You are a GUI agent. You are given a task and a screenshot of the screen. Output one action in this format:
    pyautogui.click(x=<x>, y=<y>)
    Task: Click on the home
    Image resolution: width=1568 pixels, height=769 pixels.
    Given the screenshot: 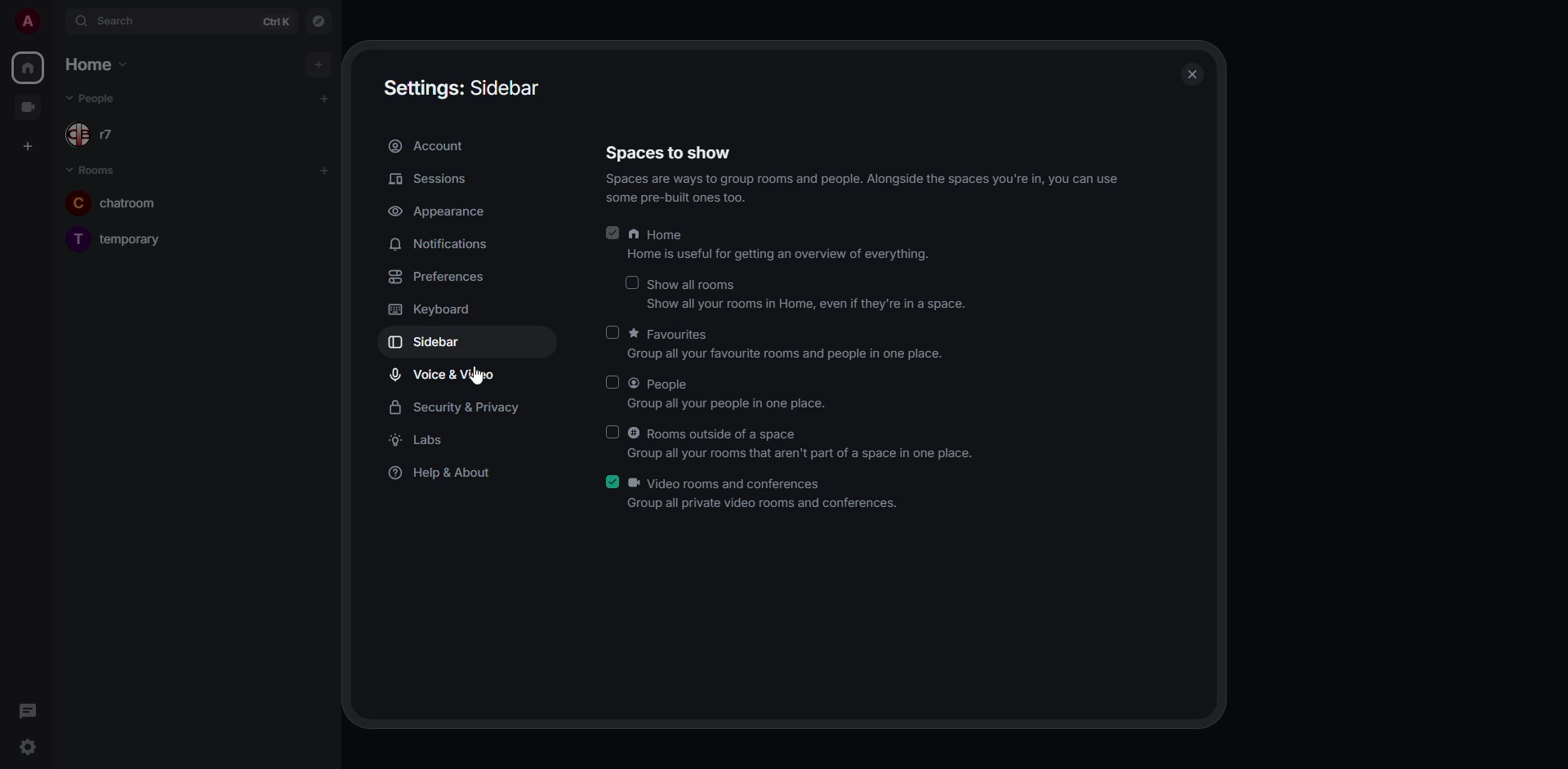 What is the action you would take?
    pyautogui.click(x=29, y=69)
    